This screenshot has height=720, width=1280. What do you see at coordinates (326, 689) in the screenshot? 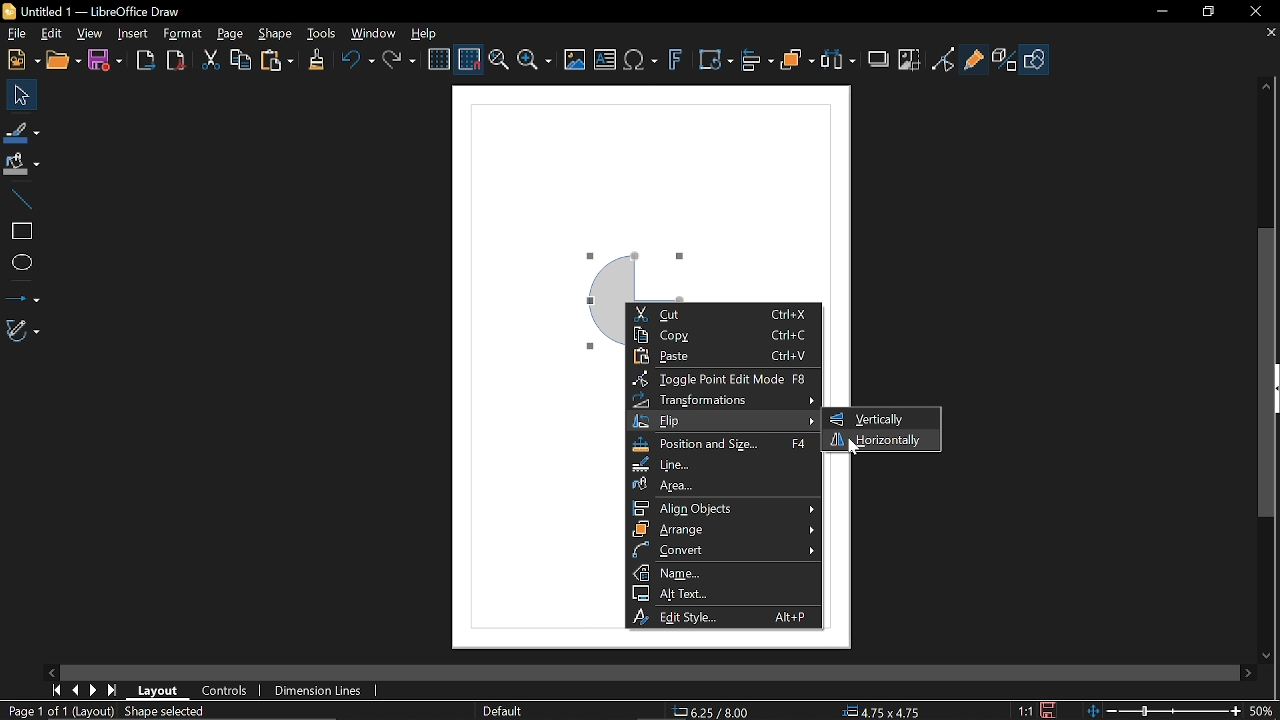
I see `Dimension lines` at bounding box center [326, 689].